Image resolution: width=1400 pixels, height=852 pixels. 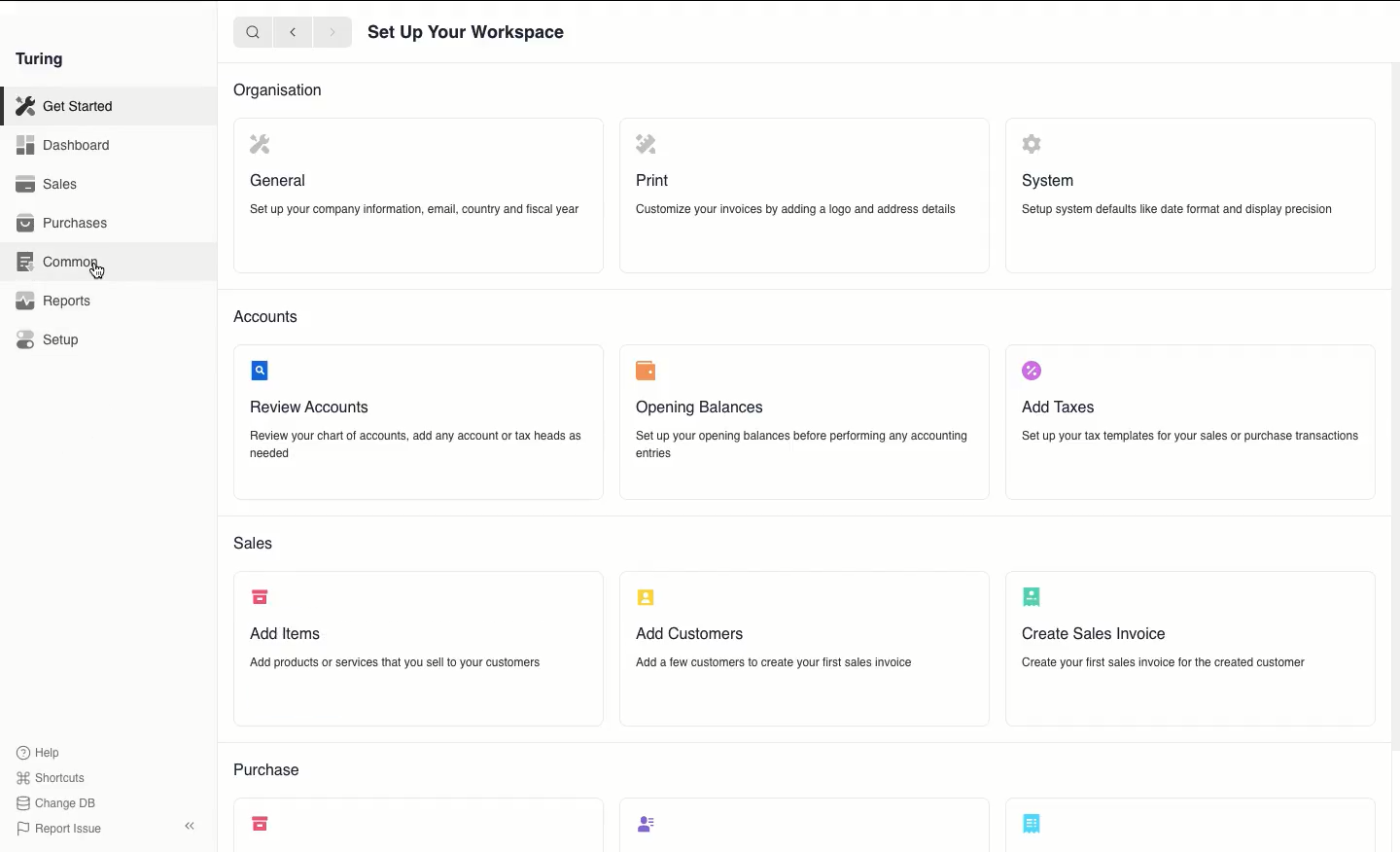 I want to click on Add suppliers , so click(x=647, y=823).